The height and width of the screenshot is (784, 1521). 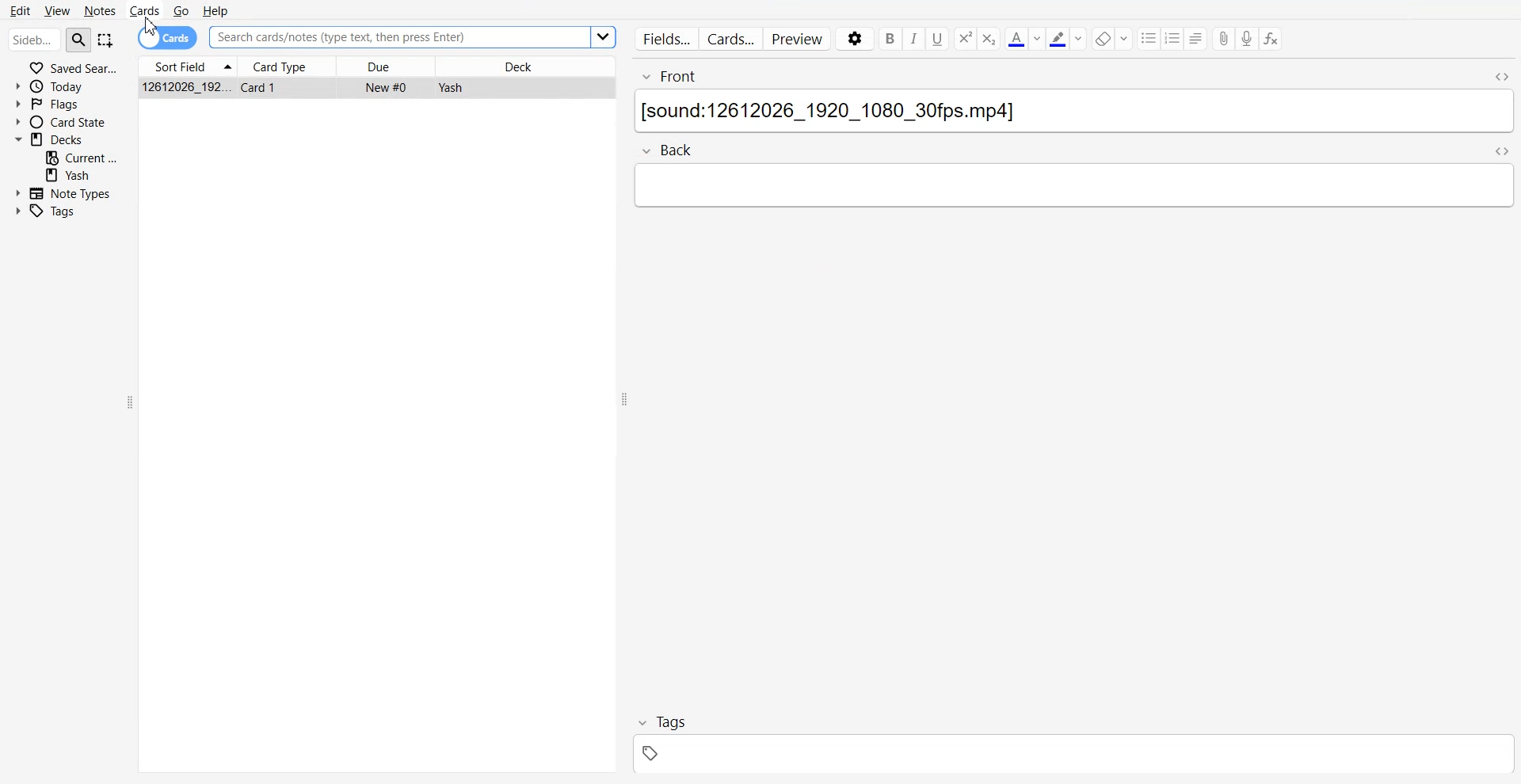 I want to click on Notes, so click(x=100, y=10).